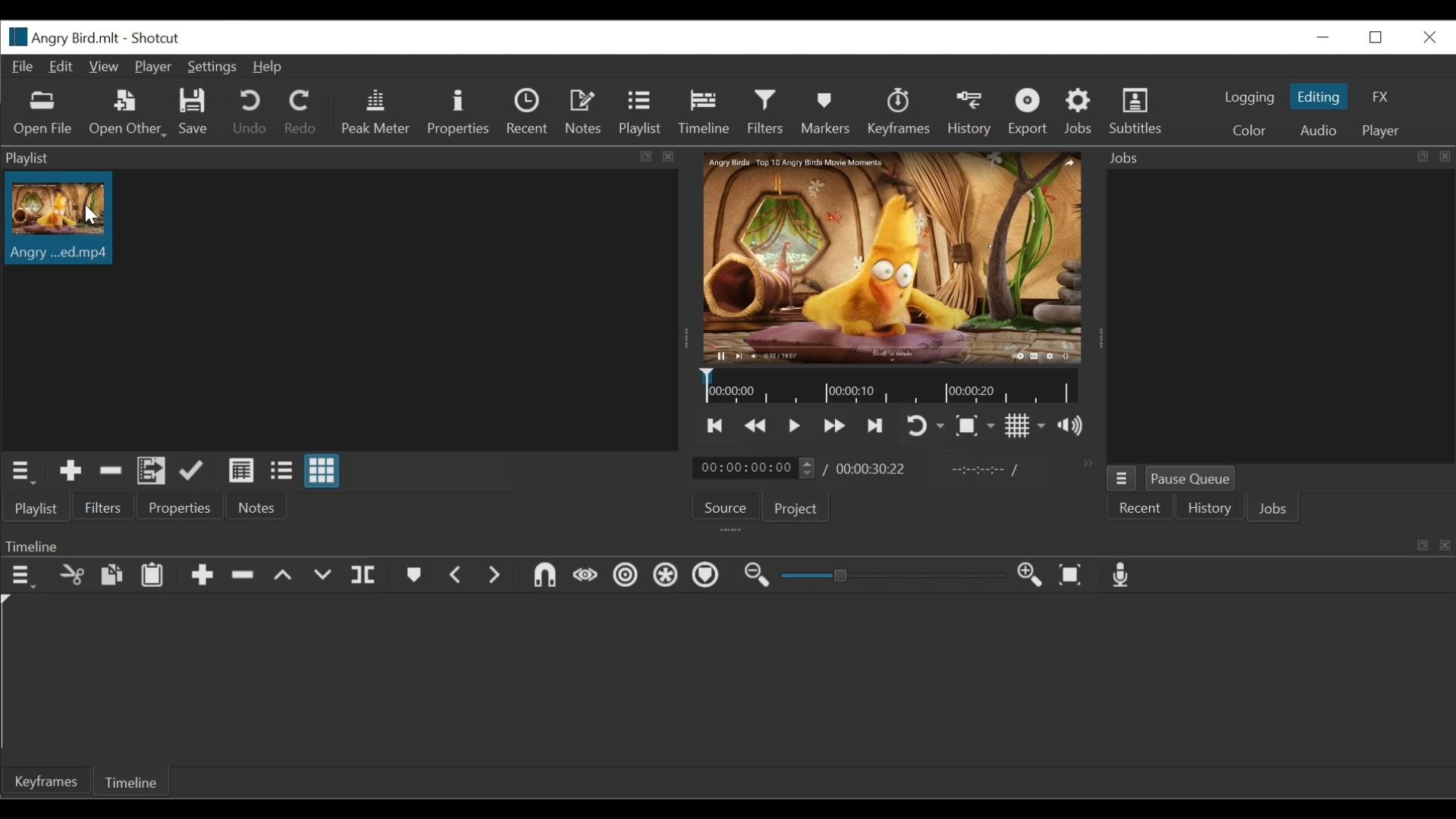  What do you see at coordinates (758, 577) in the screenshot?
I see `Zoom timeline out` at bounding box center [758, 577].